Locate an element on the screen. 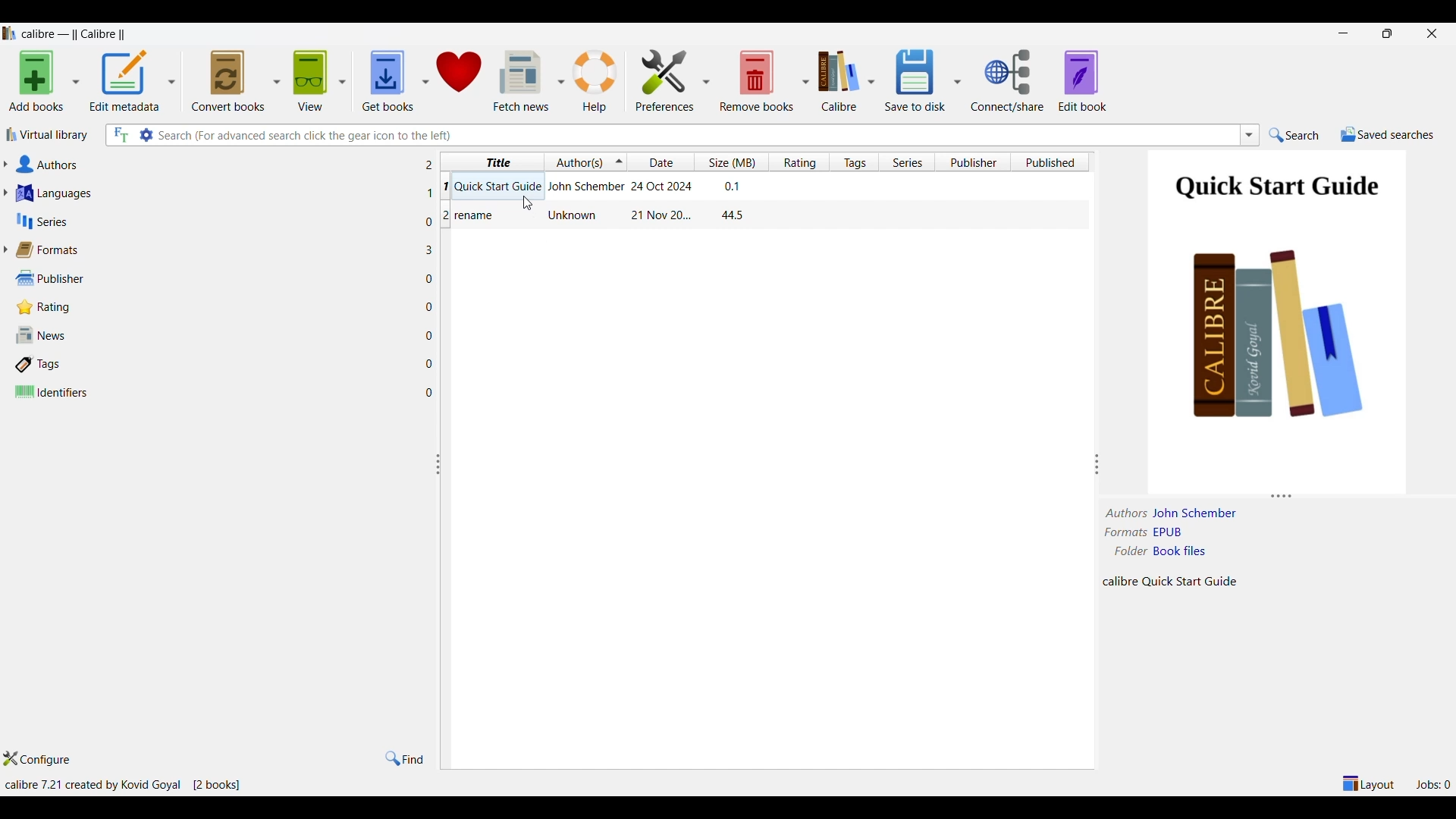 This screenshot has height=819, width=1456. Authors column, current sorting is located at coordinates (586, 161).